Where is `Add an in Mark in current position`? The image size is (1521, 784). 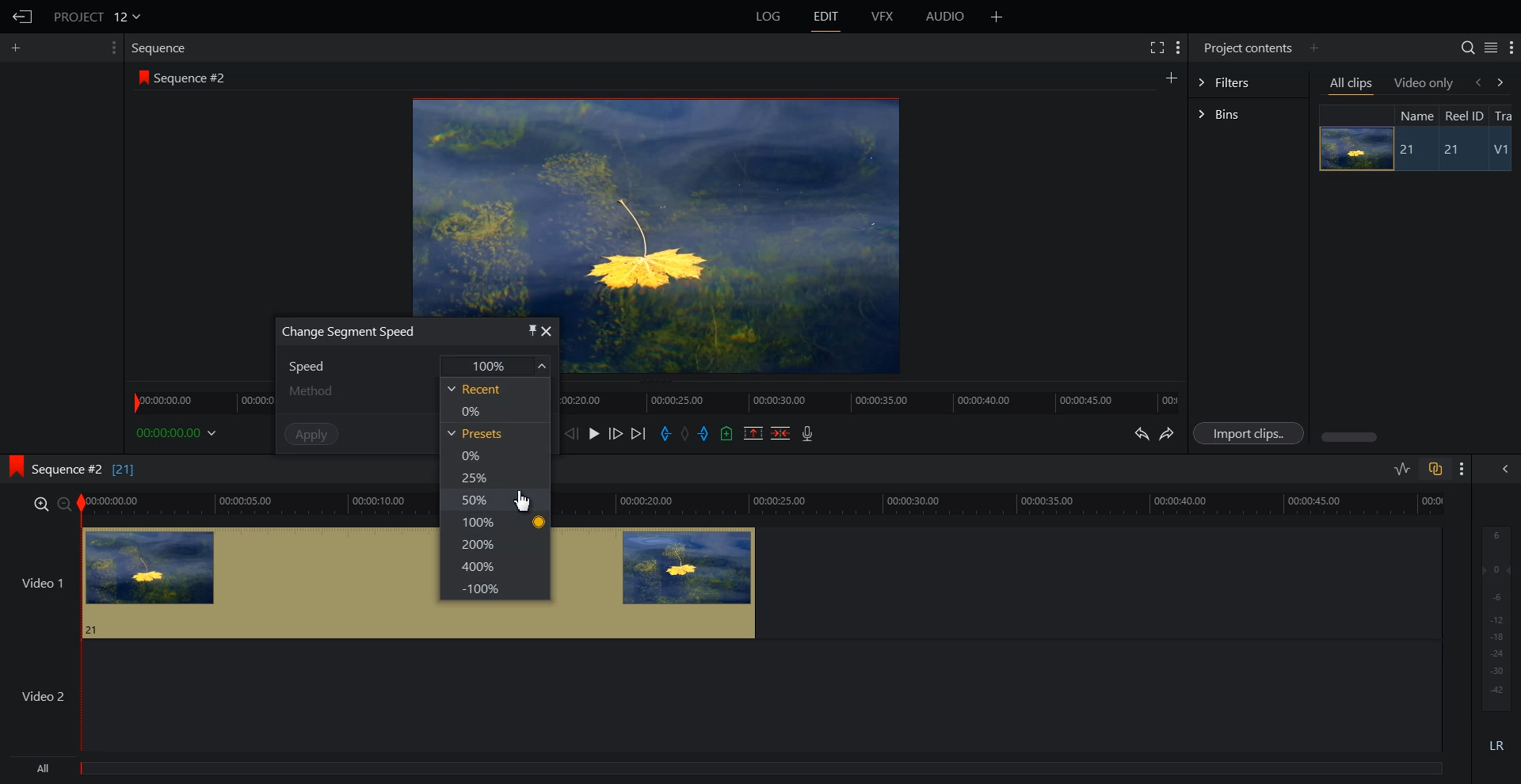 Add an in Mark in current position is located at coordinates (664, 434).